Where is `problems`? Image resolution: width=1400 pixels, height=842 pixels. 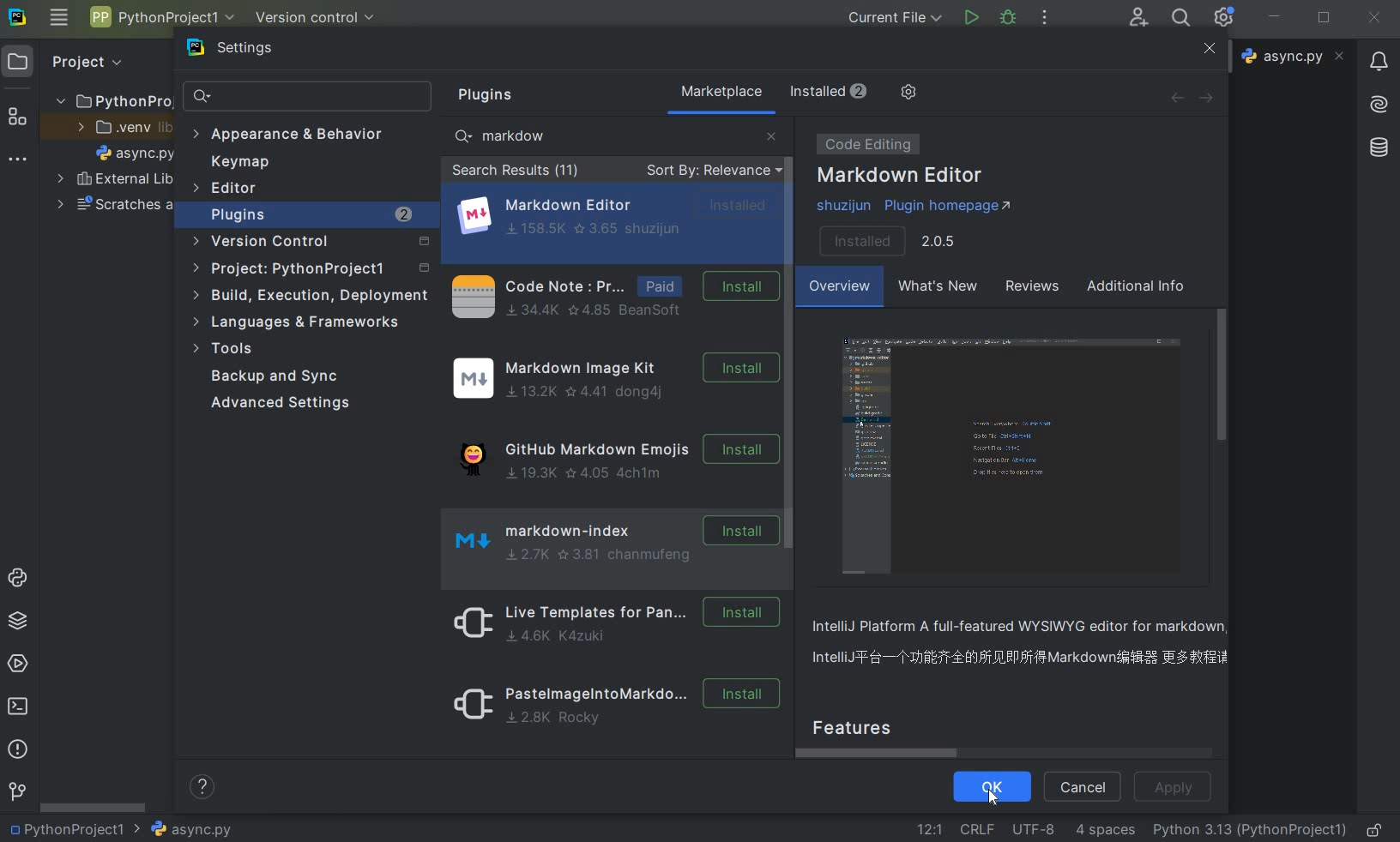
problems is located at coordinates (17, 749).